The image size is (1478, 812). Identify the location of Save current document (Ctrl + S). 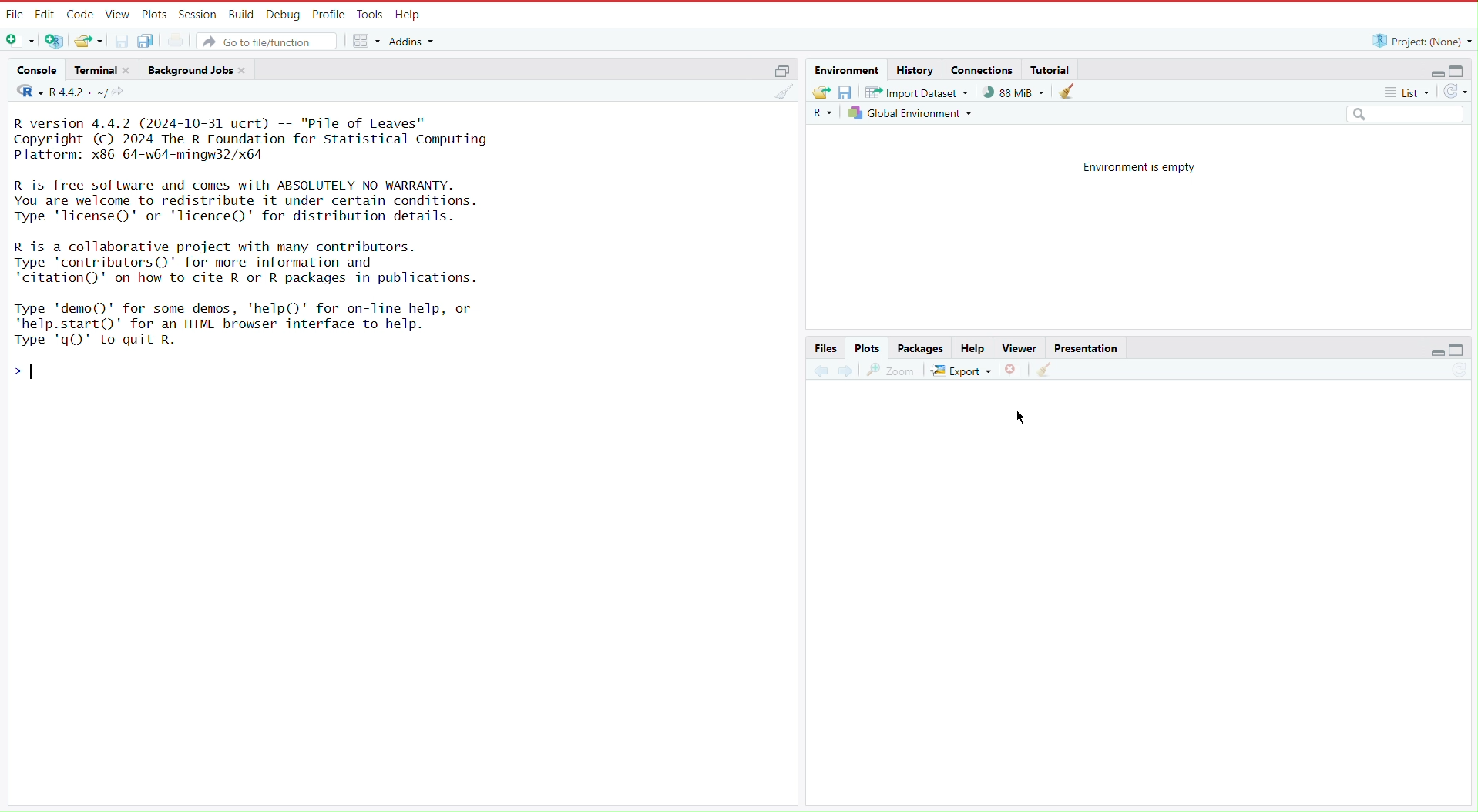
(121, 40).